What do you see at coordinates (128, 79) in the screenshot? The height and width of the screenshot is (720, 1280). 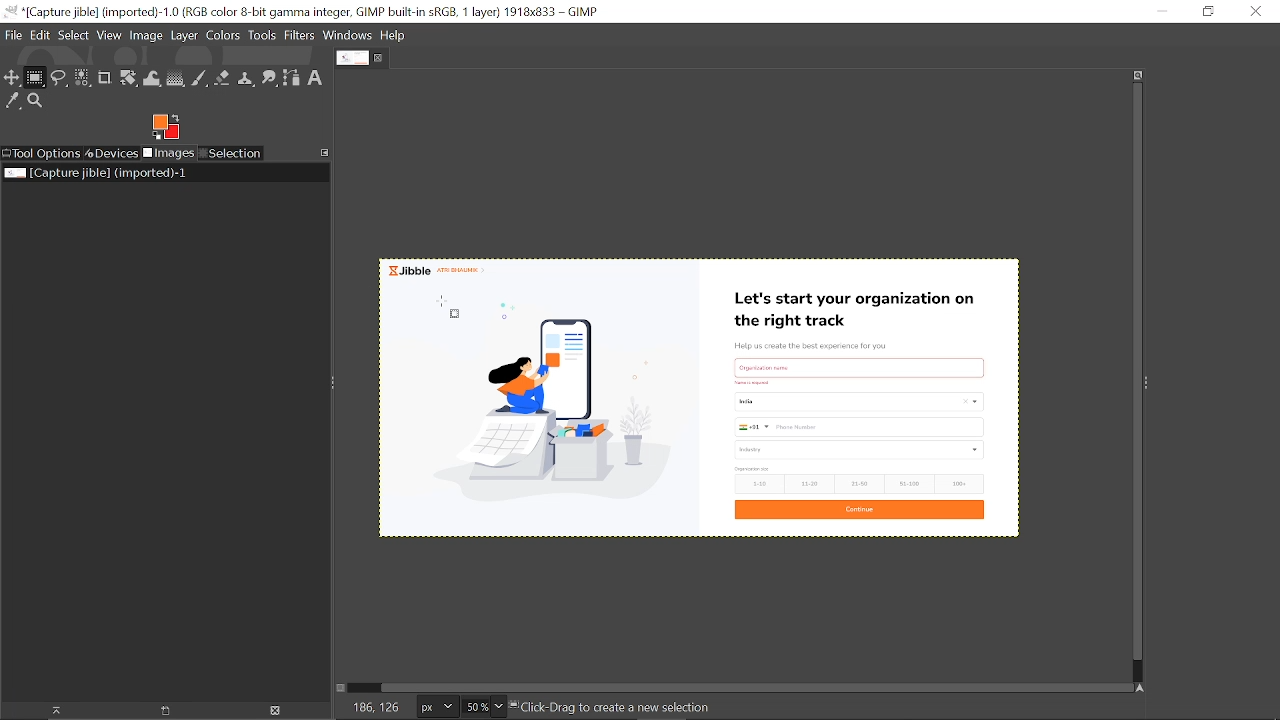 I see `Rotate tool` at bounding box center [128, 79].